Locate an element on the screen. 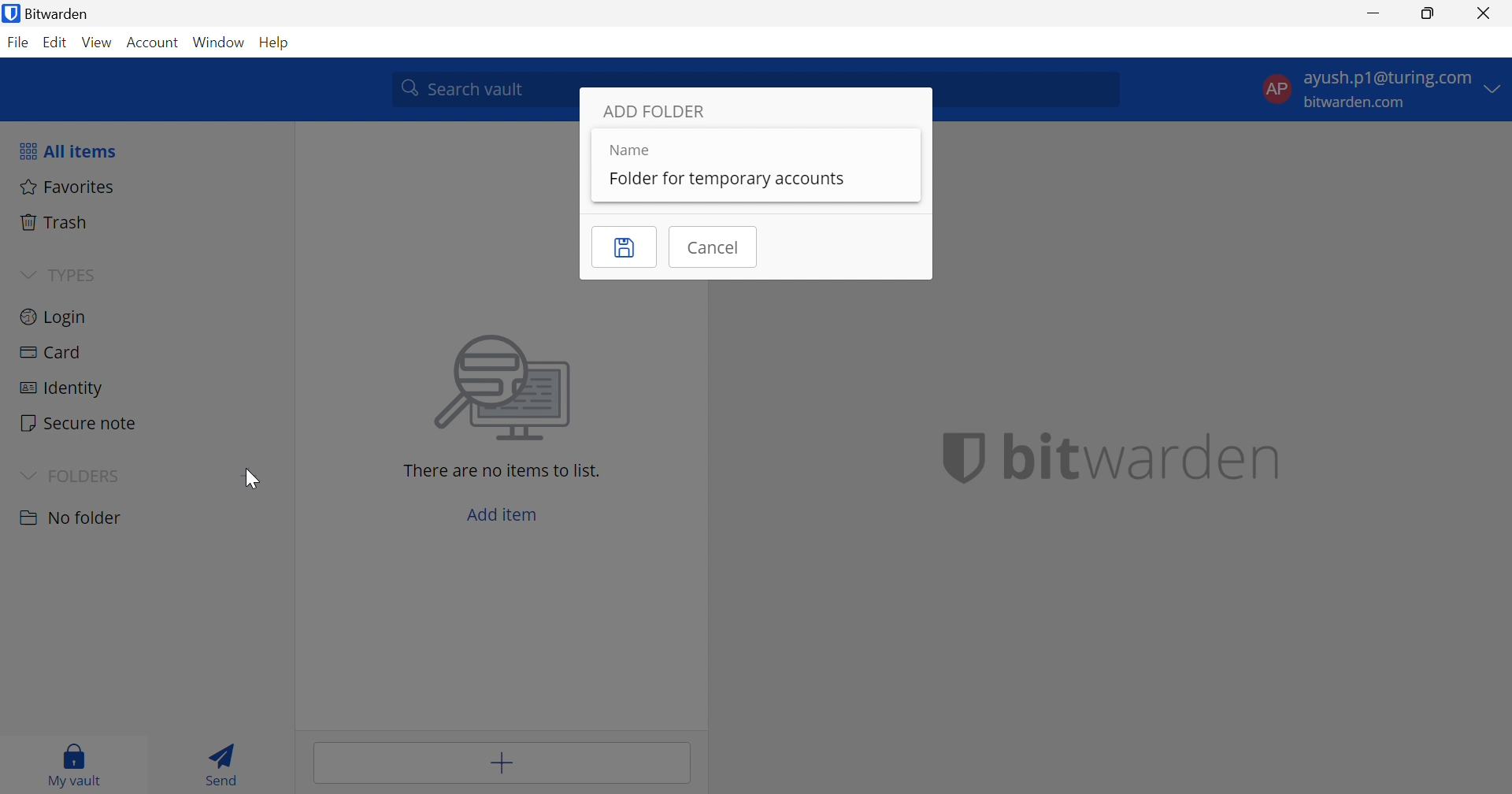 This screenshot has width=1512, height=794. Cursor is located at coordinates (252, 477).